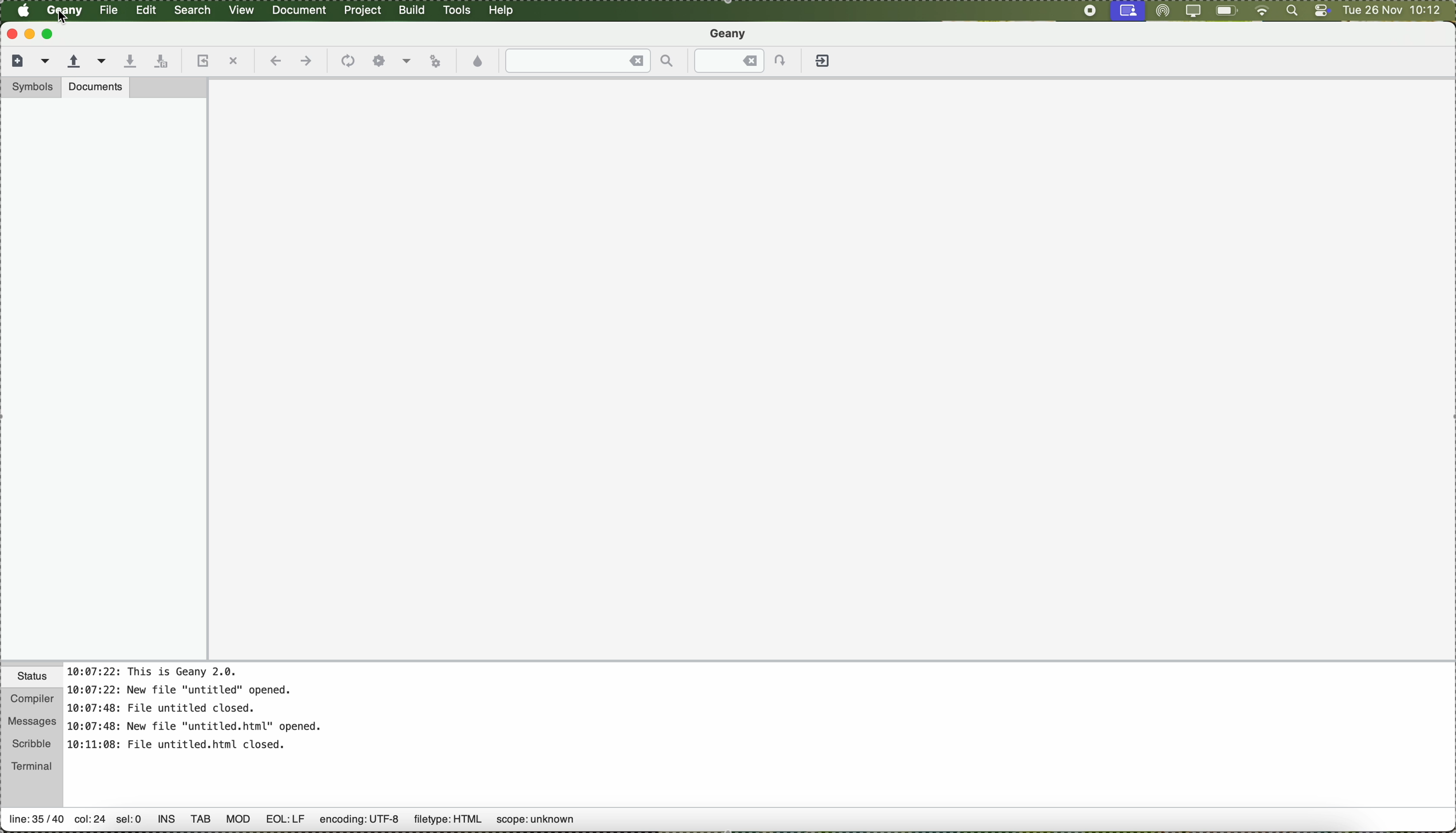 The width and height of the screenshot is (1456, 833). What do you see at coordinates (588, 61) in the screenshot?
I see `find the entered text in the current file` at bounding box center [588, 61].